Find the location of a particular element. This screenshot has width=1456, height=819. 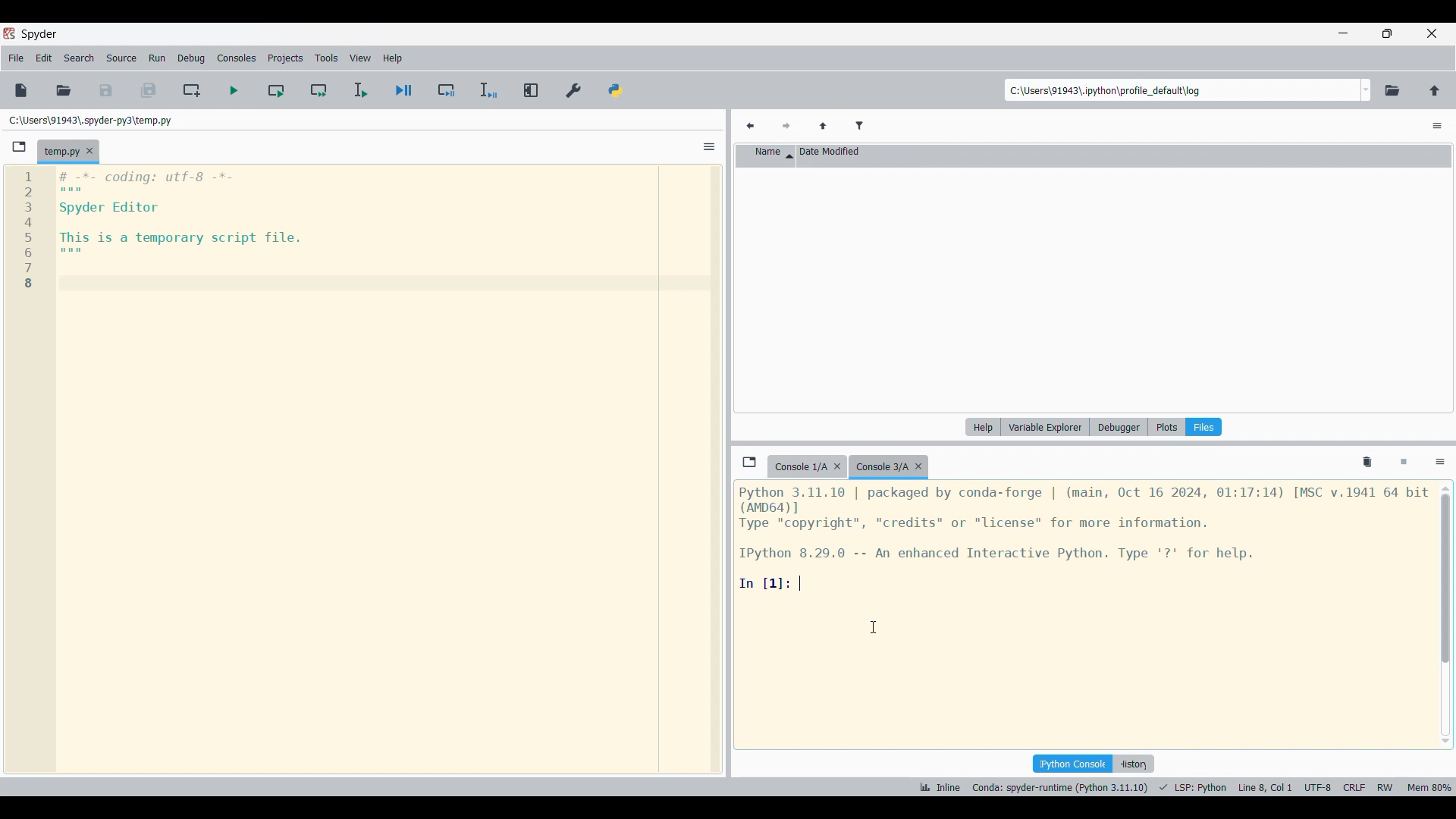

Run current cell and fo to next one is located at coordinates (318, 89).